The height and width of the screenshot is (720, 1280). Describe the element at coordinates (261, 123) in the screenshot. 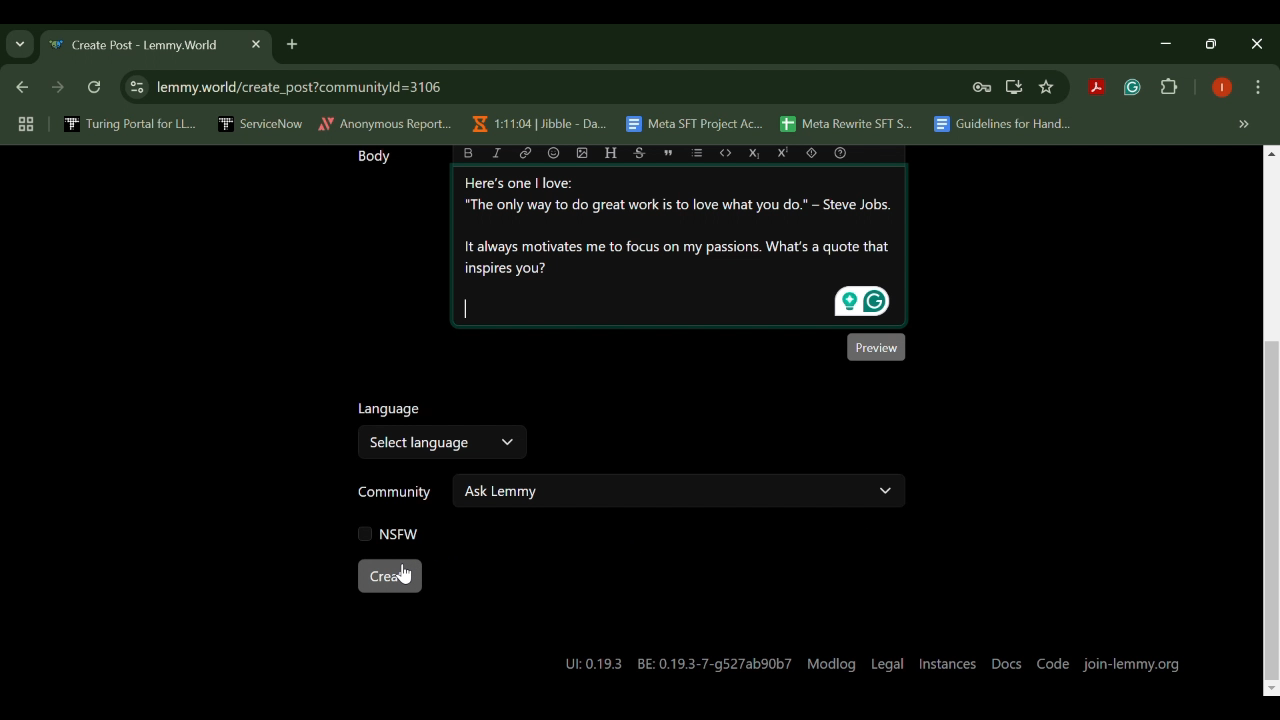

I see `ServiceNow` at that location.